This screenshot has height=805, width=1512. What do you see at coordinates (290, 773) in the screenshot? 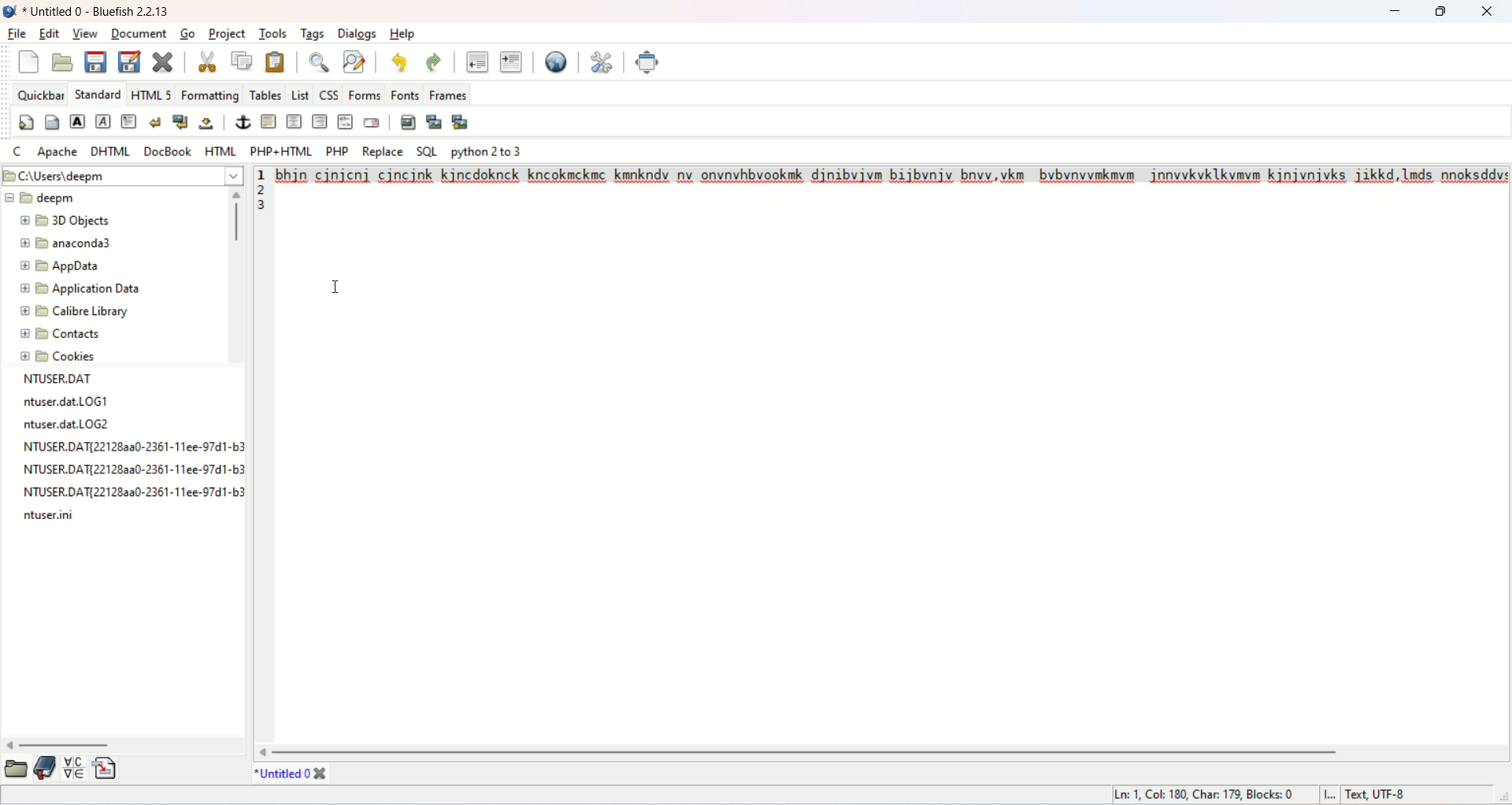
I see `title` at bounding box center [290, 773].